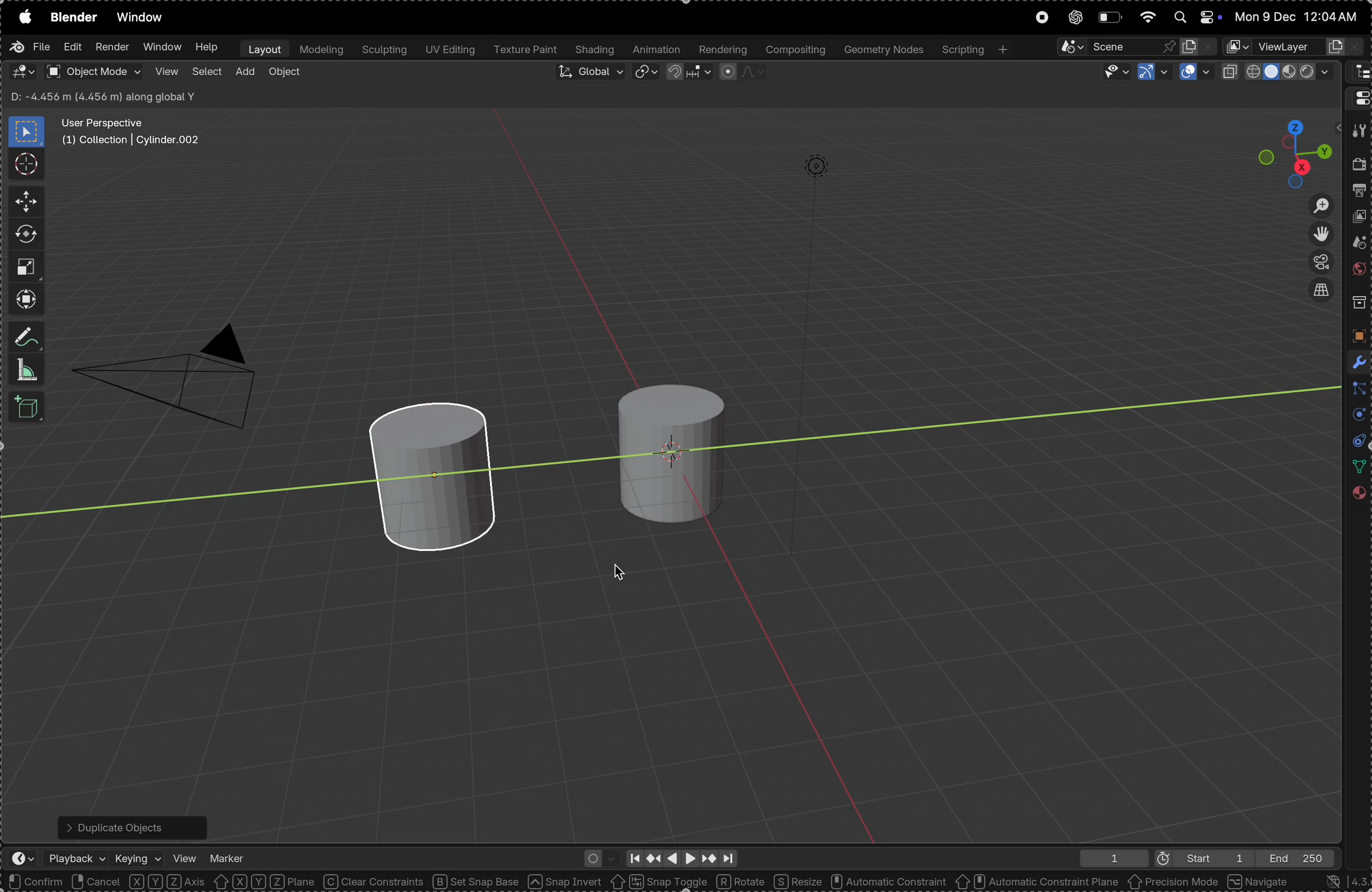 This screenshot has height=892, width=1372. I want to click on select toggle, so click(52, 882).